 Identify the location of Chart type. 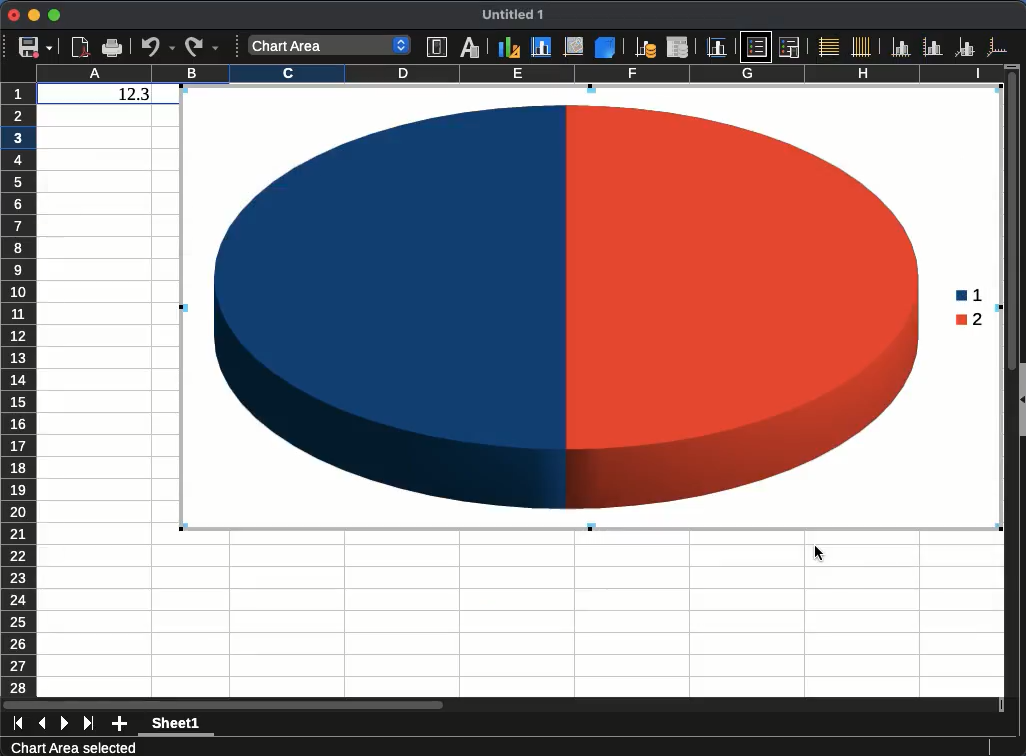
(509, 46).